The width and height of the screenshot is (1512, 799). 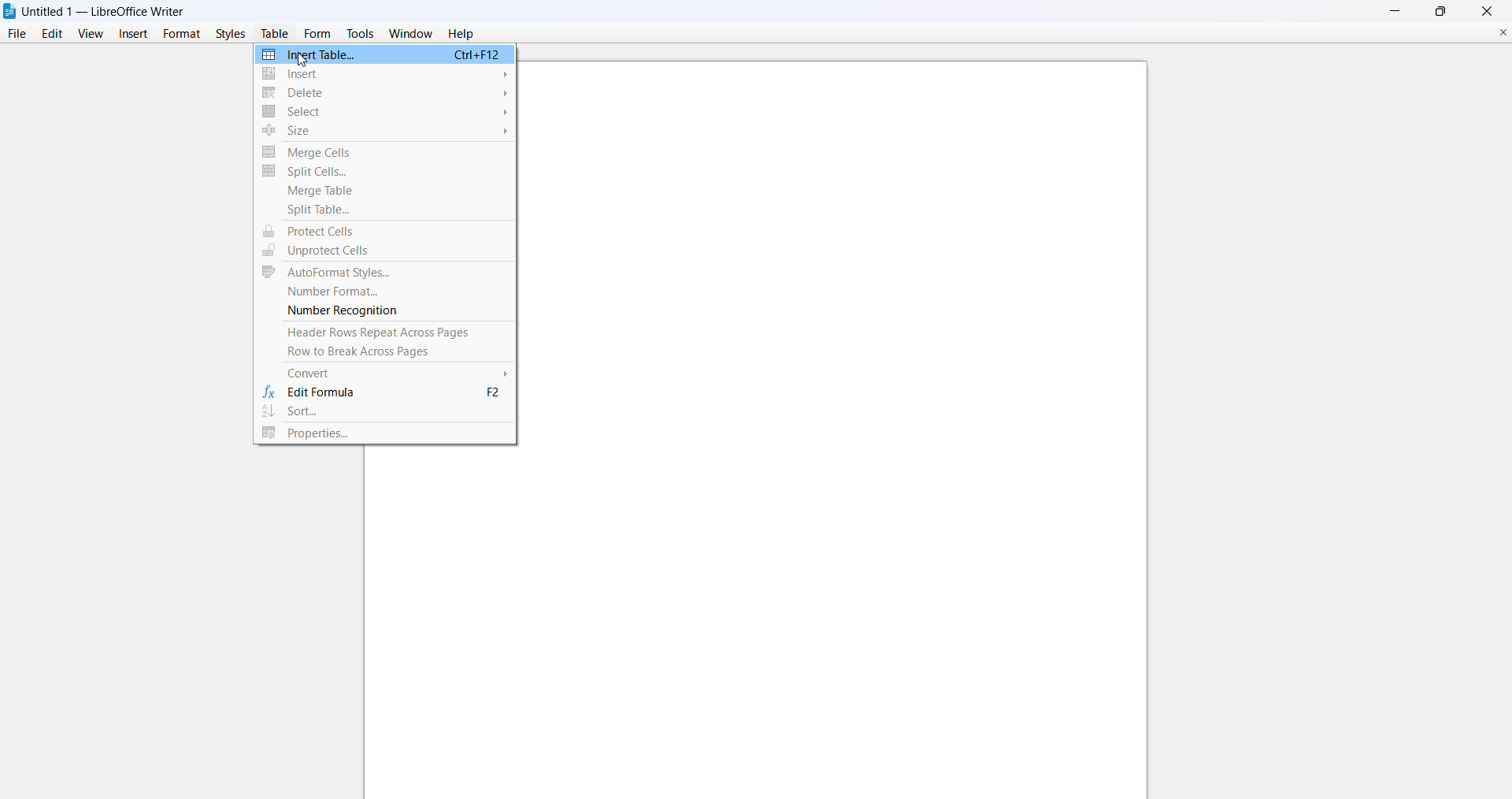 I want to click on sort, so click(x=385, y=413).